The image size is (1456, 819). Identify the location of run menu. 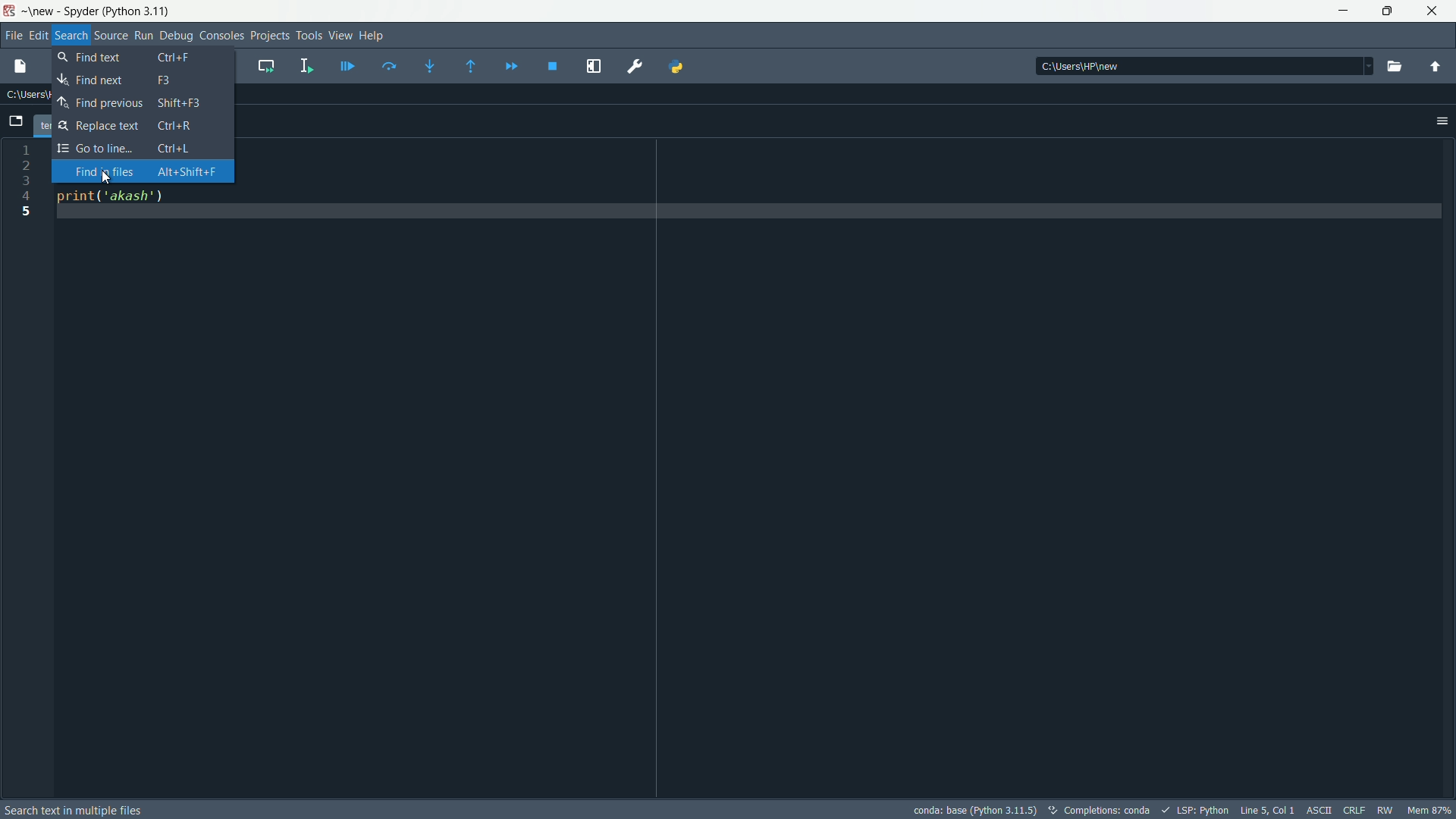
(144, 36).